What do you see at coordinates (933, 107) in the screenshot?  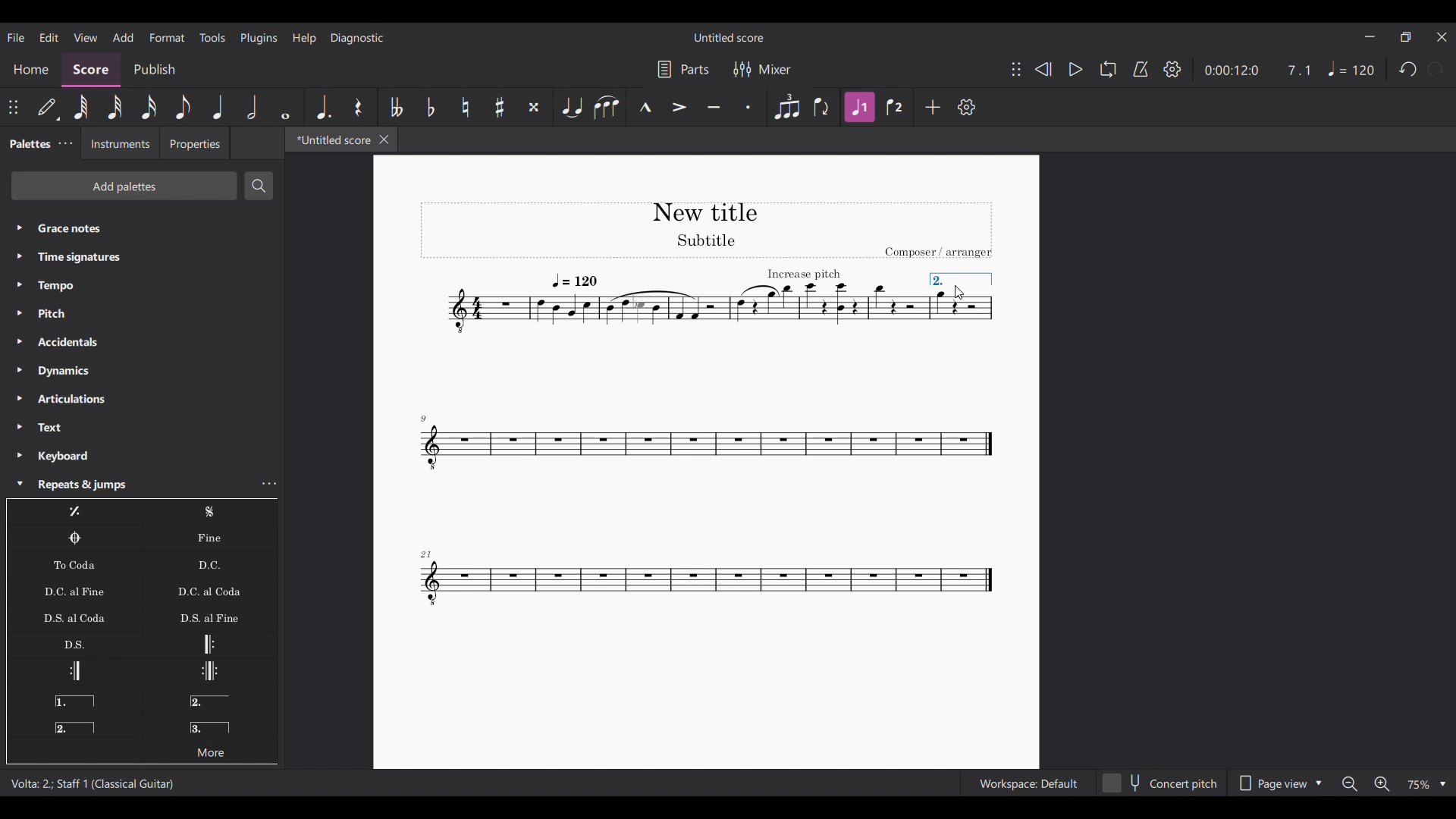 I see `Add` at bounding box center [933, 107].